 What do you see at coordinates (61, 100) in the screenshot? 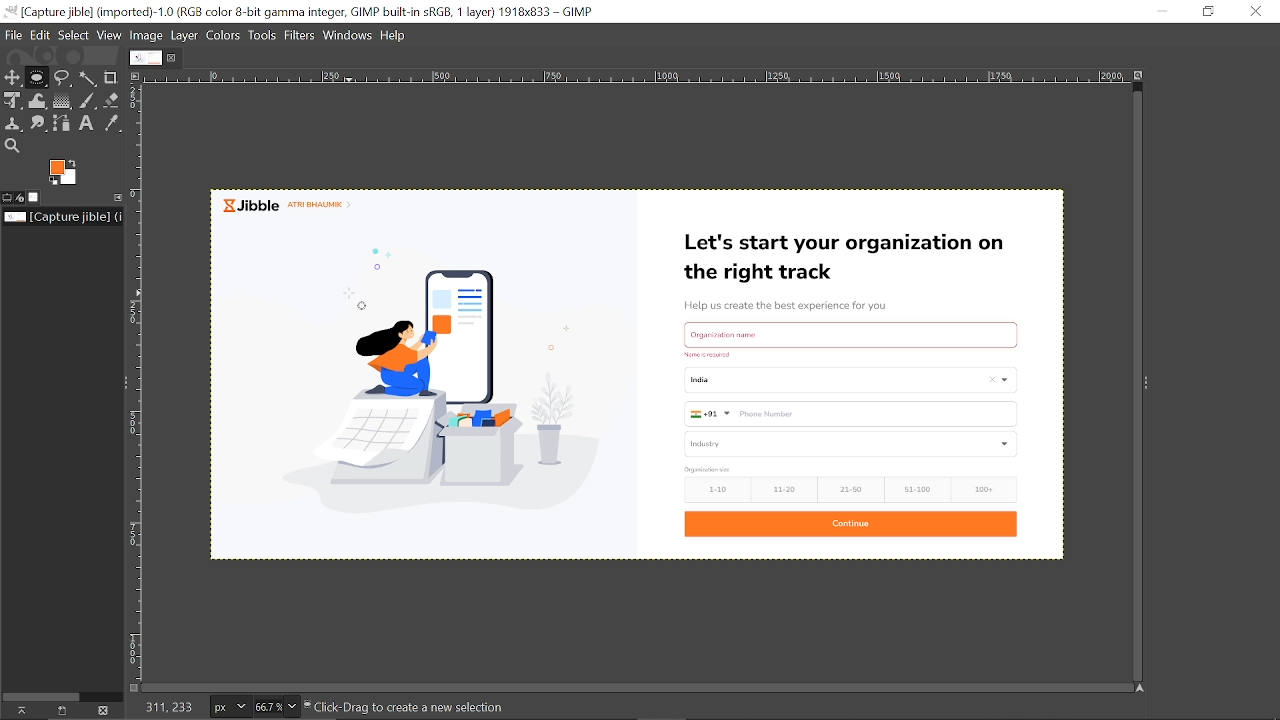
I see `gradiaent tool` at bounding box center [61, 100].